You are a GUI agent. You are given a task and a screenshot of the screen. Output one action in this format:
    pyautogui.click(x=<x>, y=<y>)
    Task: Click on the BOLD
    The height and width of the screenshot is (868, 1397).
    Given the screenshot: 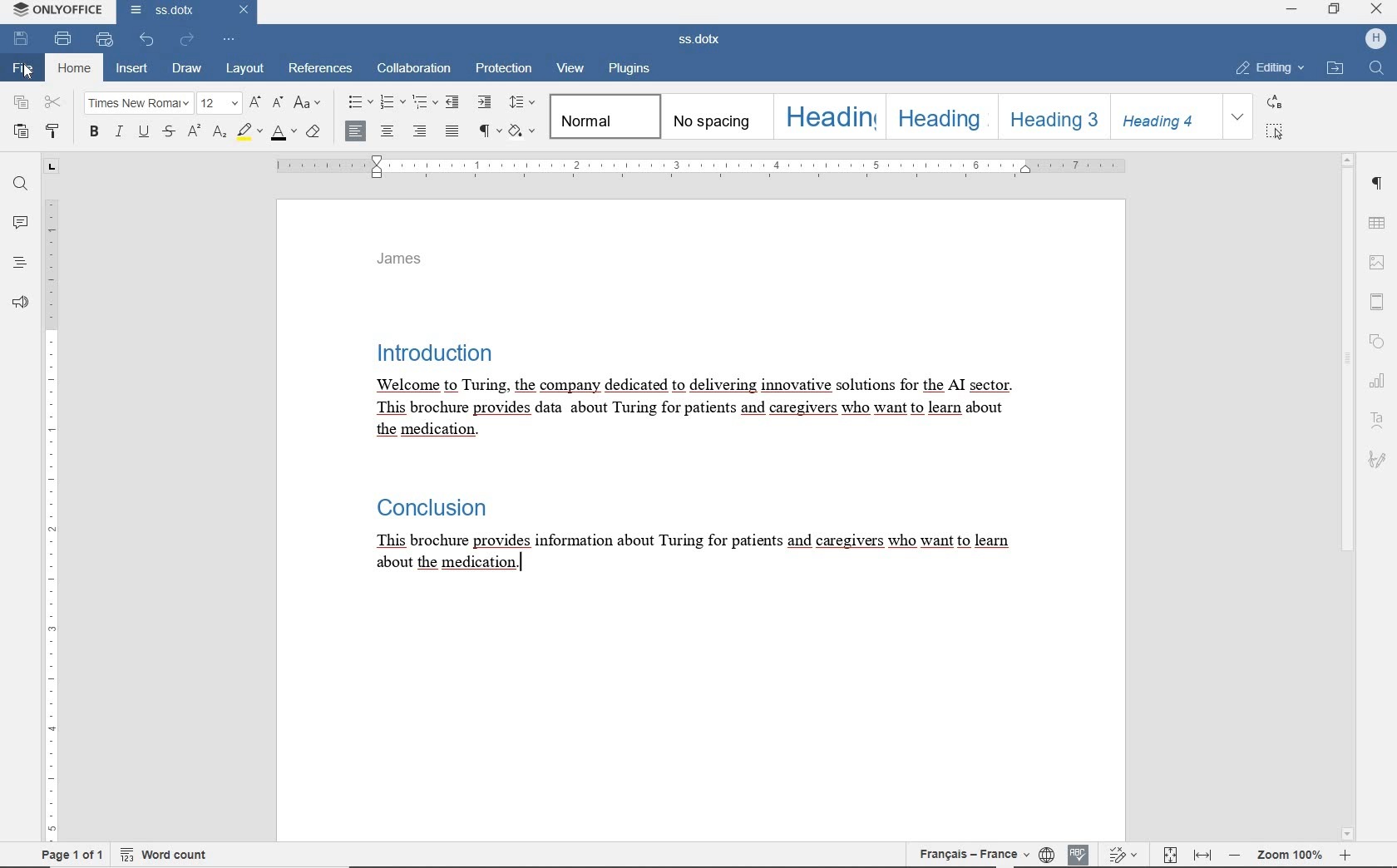 What is the action you would take?
    pyautogui.click(x=91, y=133)
    